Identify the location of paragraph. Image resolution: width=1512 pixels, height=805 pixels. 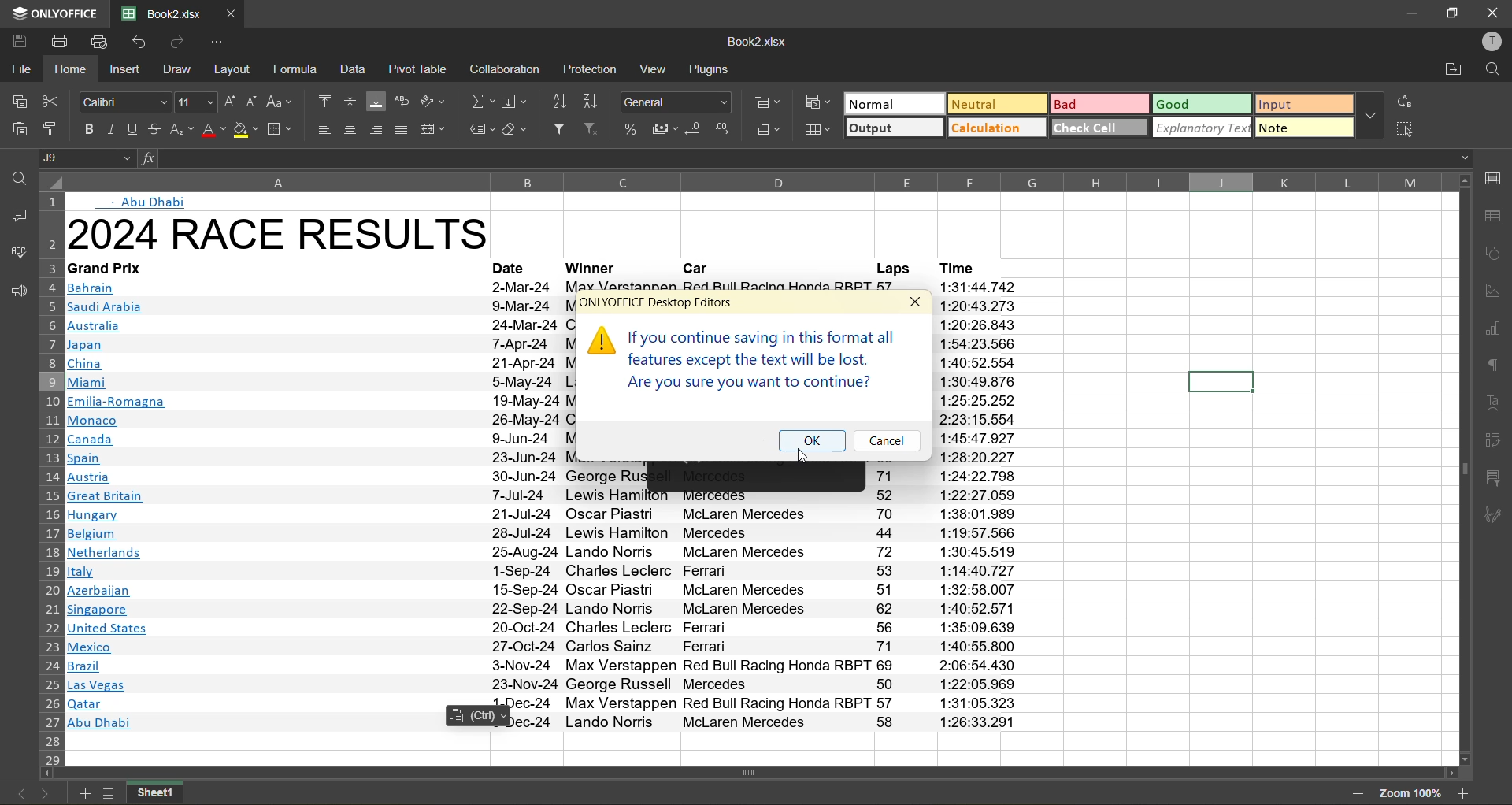
(1492, 368).